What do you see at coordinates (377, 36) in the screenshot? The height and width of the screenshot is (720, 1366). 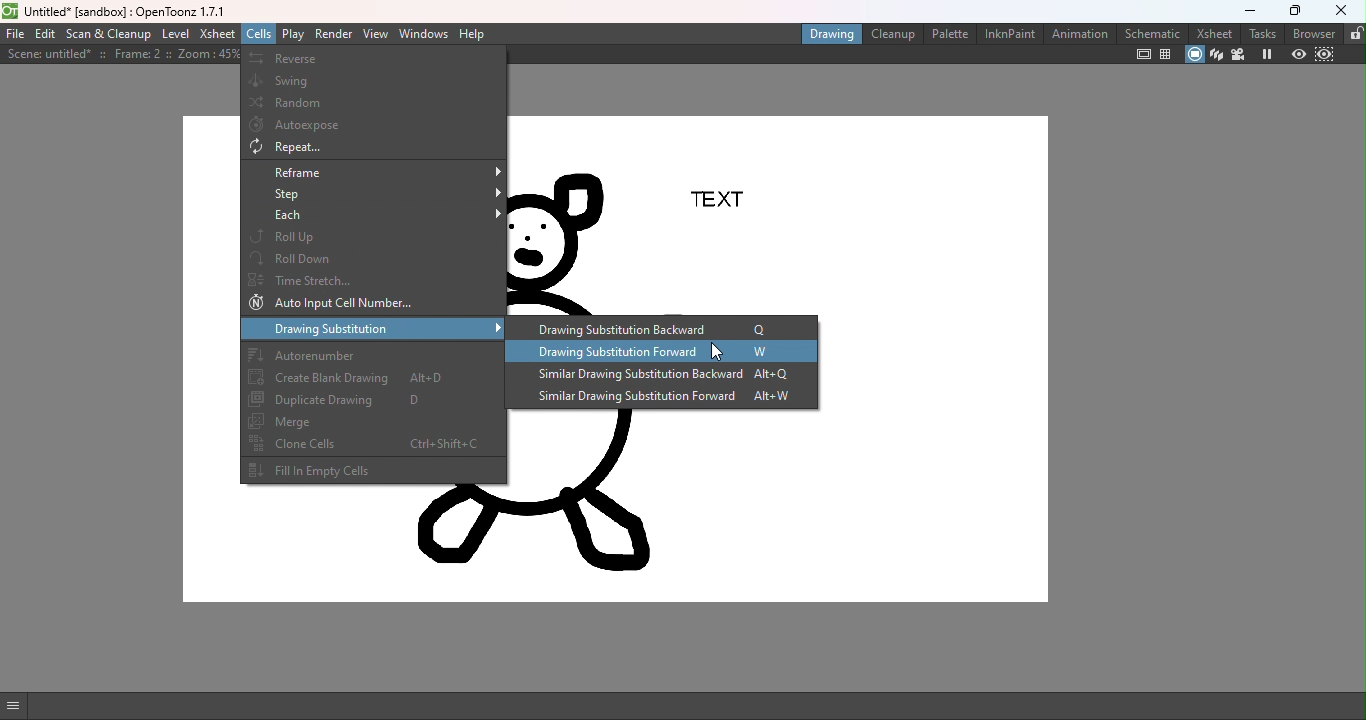 I see `View` at bounding box center [377, 36].